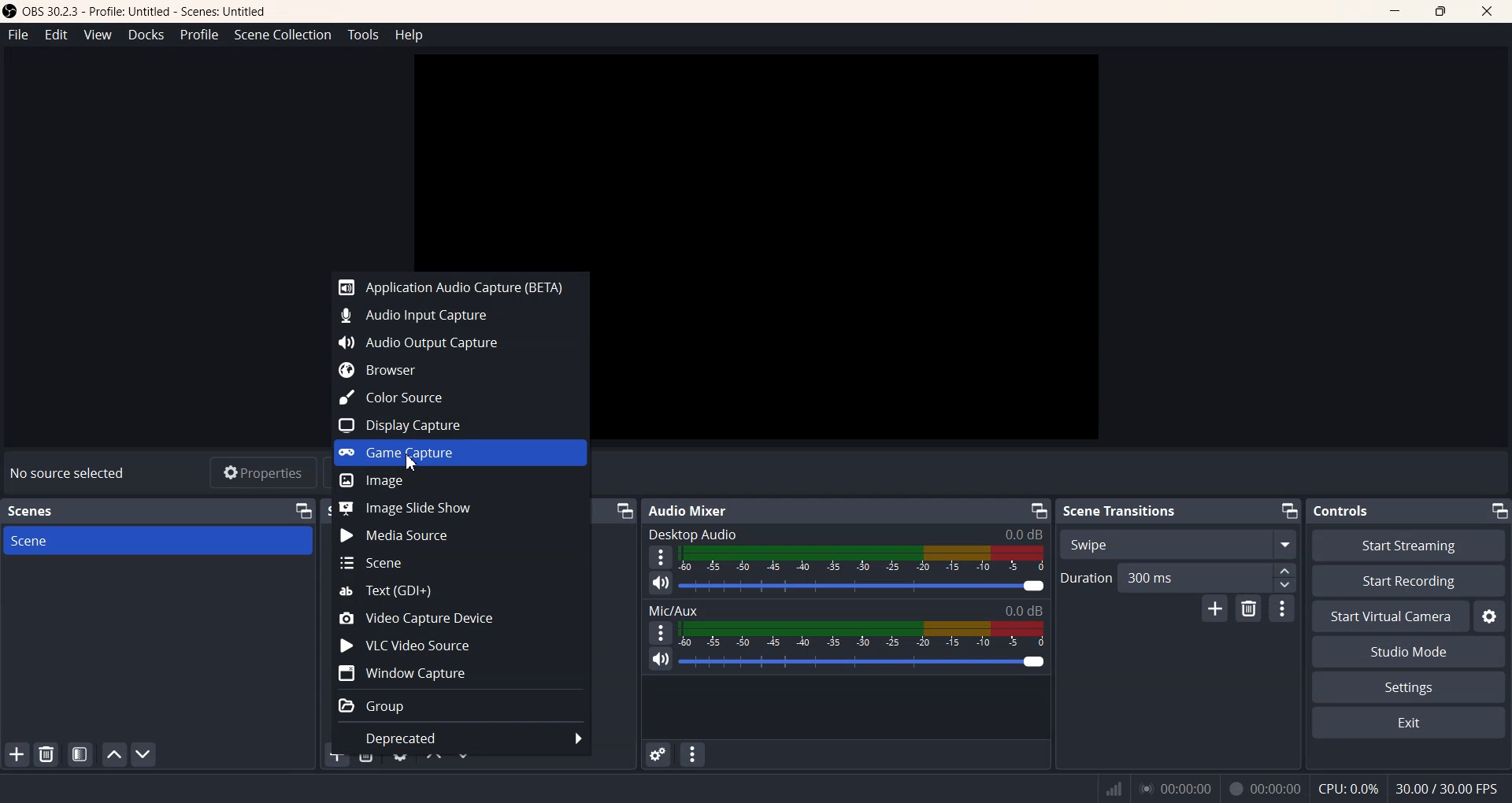 This screenshot has height=803, width=1512. What do you see at coordinates (145, 754) in the screenshot?
I see `Move Scene Down` at bounding box center [145, 754].